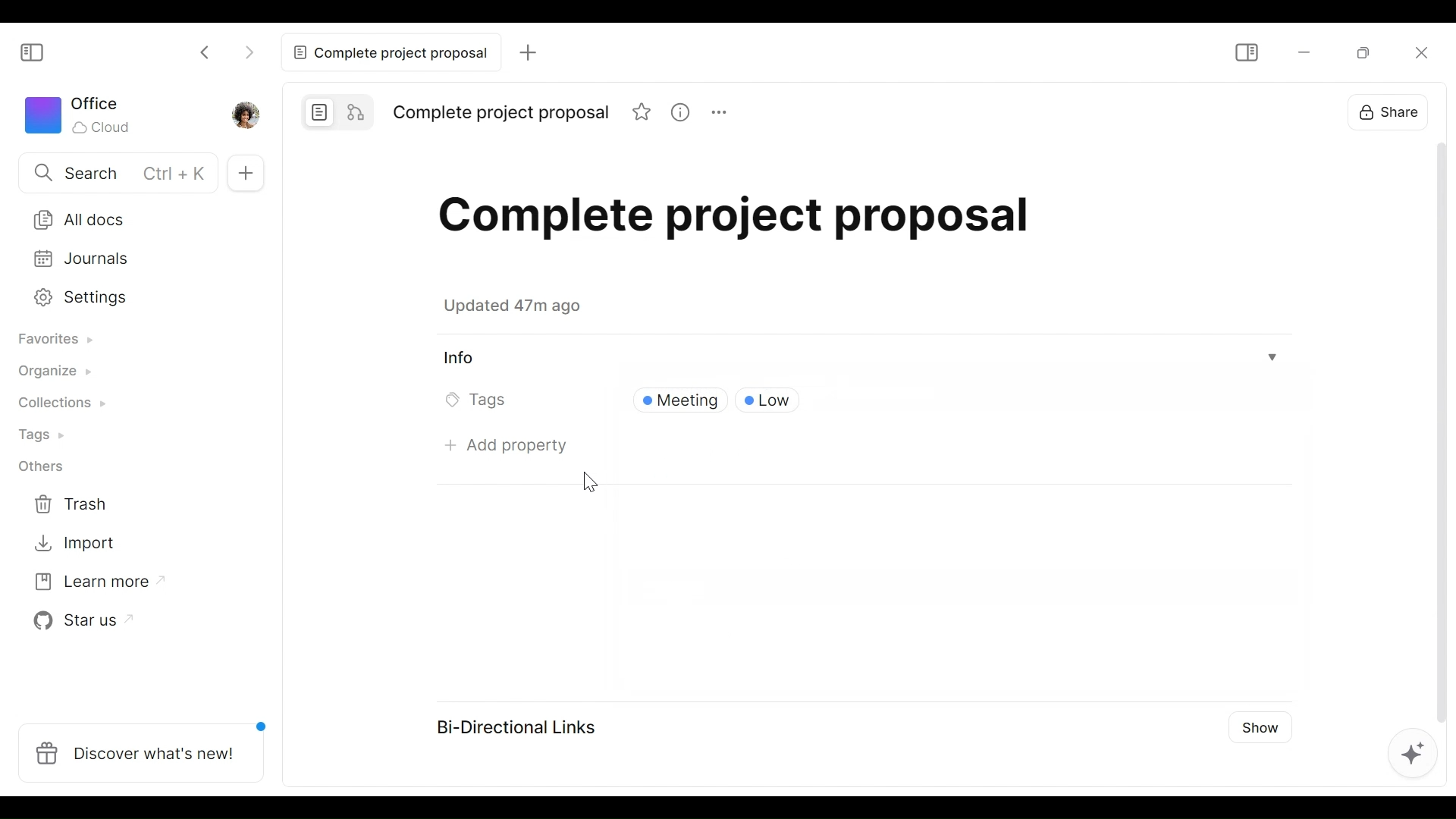  What do you see at coordinates (588, 479) in the screenshot?
I see `Cursor` at bounding box center [588, 479].